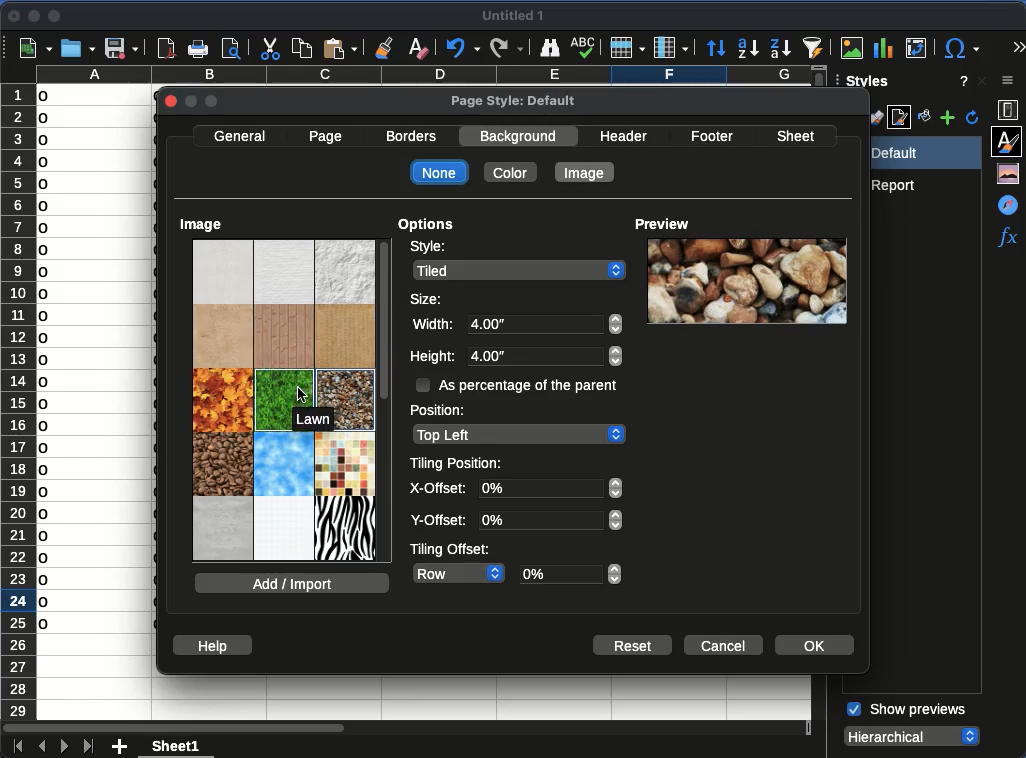 Image resolution: width=1026 pixels, height=758 pixels. Describe the element at coordinates (1009, 110) in the screenshot. I see `properties` at that location.